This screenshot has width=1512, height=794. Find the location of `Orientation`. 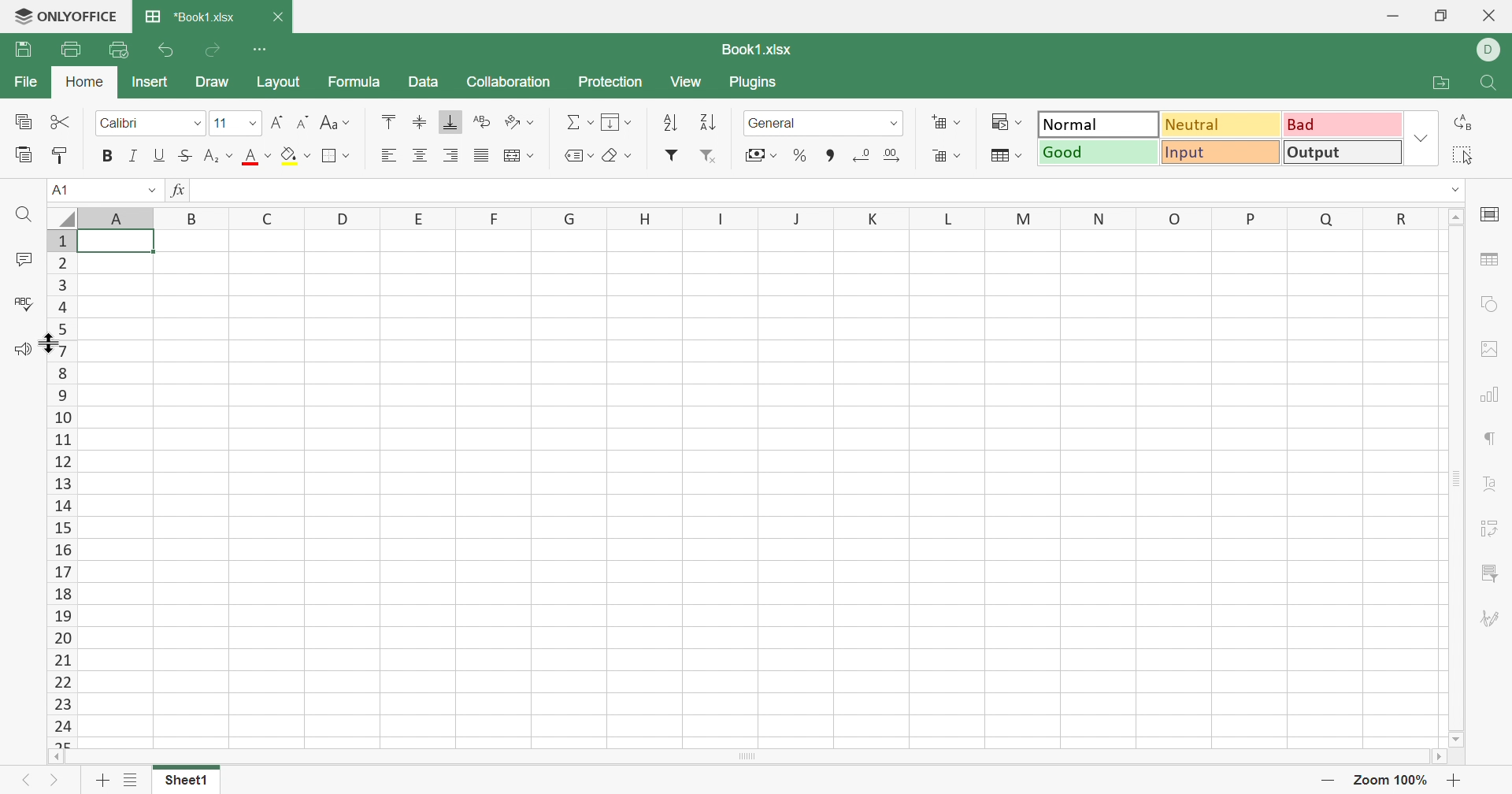

Orientation is located at coordinates (522, 119).